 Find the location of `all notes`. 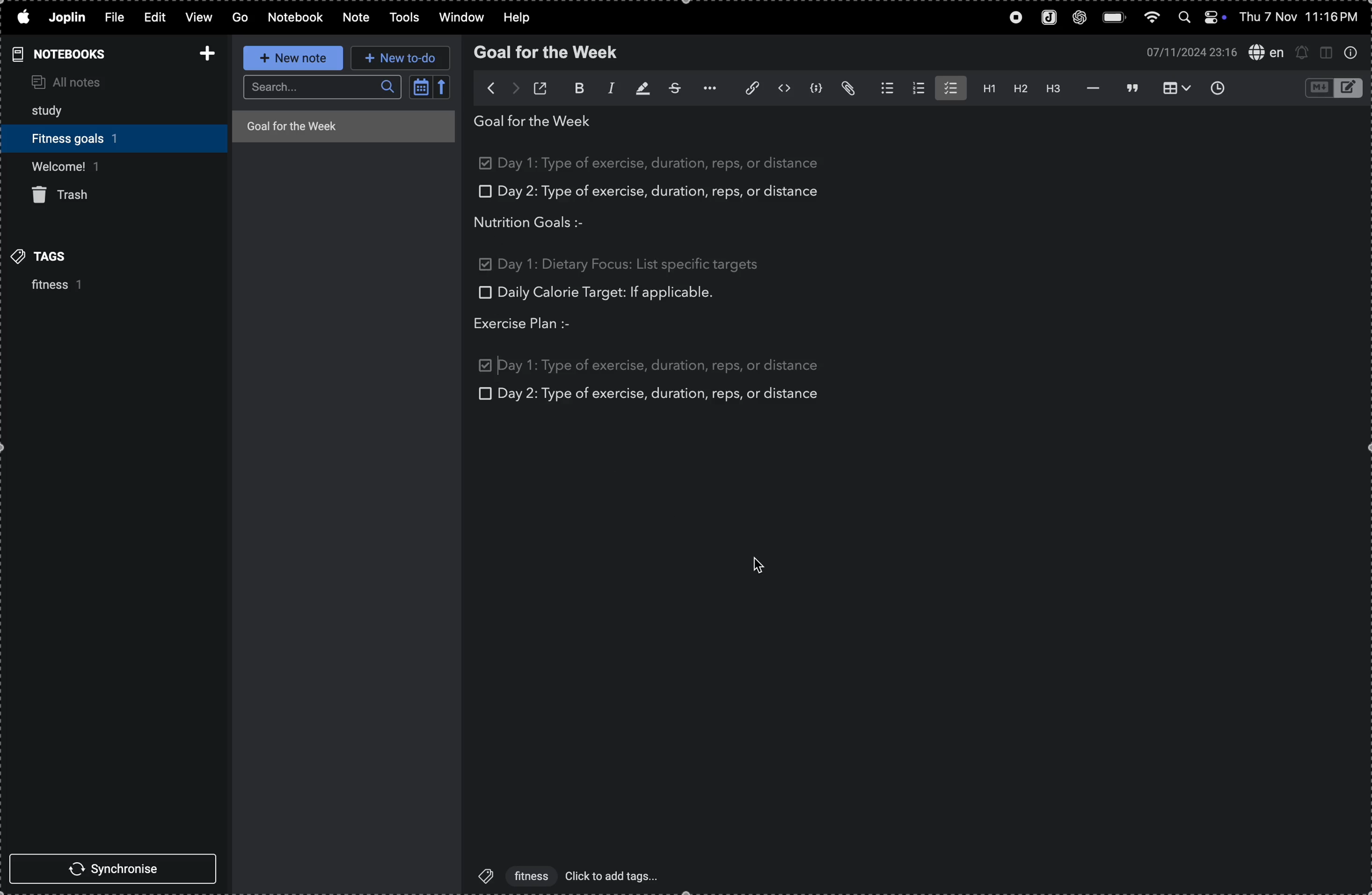

all notes is located at coordinates (91, 80).